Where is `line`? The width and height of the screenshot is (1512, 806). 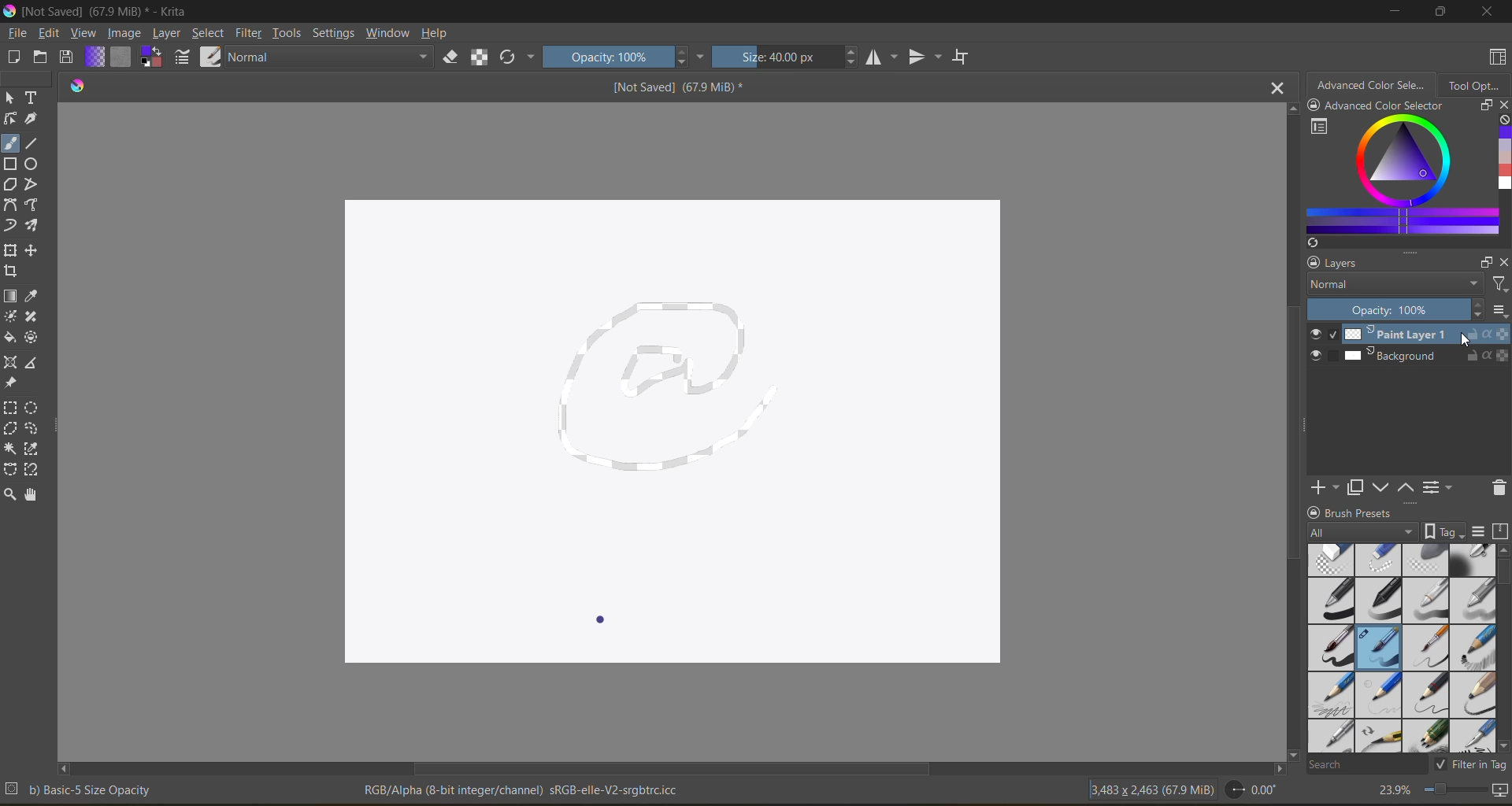
line is located at coordinates (33, 142).